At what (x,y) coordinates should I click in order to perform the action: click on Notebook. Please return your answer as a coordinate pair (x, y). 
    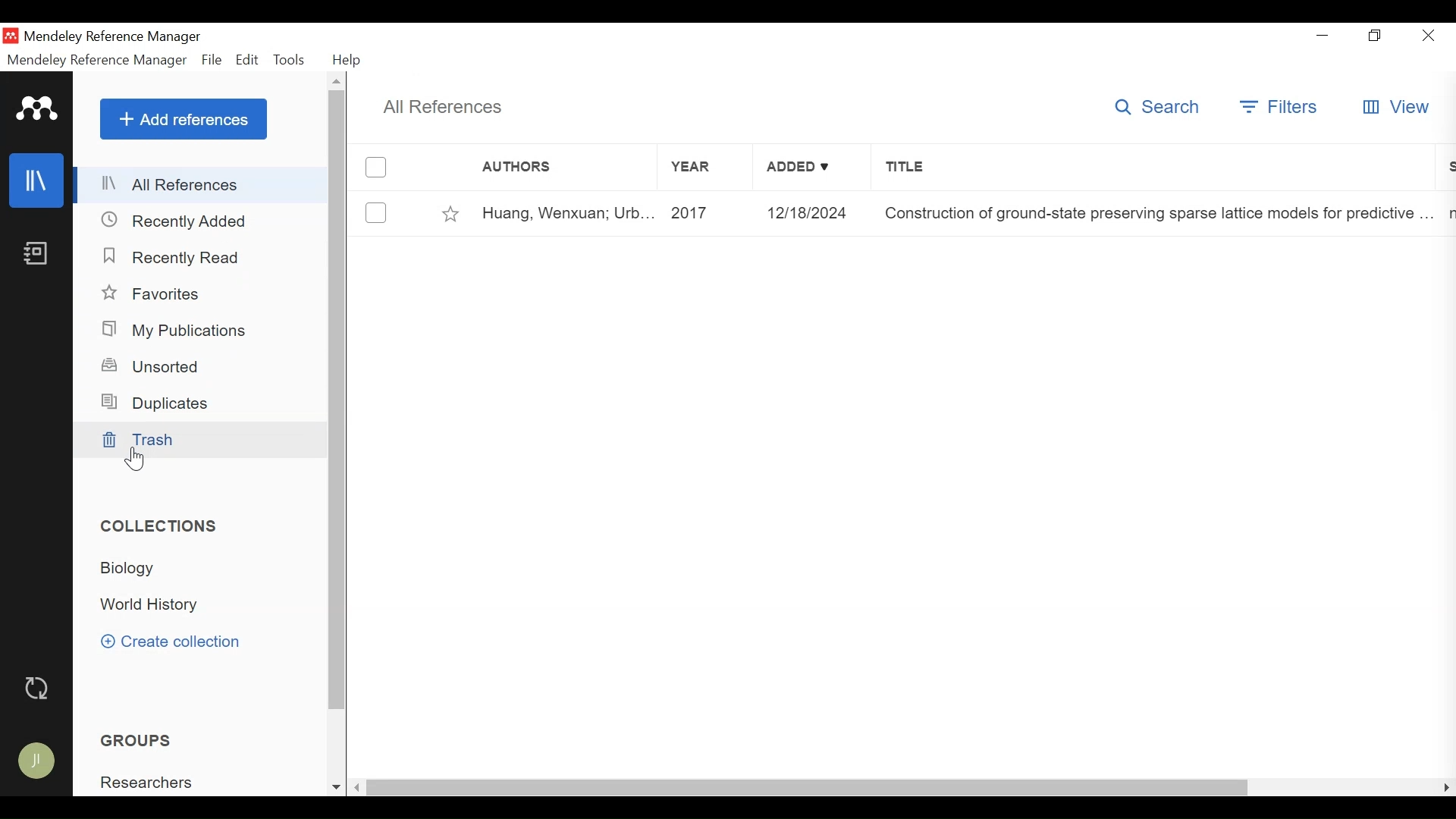
    Looking at the image, I should click on (37, 254).